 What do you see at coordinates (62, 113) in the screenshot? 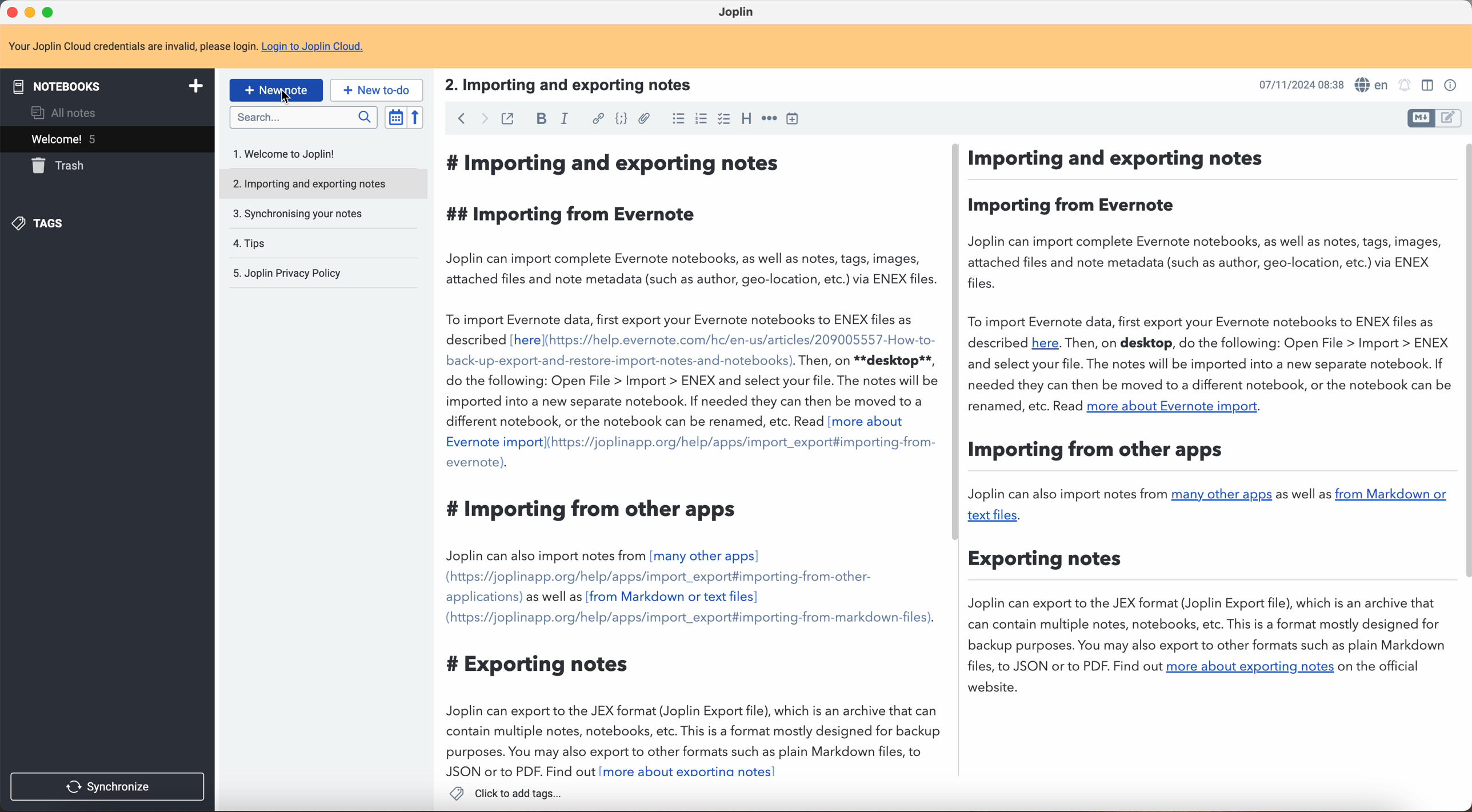
I see `all notes` at bounding box center [62, 113].